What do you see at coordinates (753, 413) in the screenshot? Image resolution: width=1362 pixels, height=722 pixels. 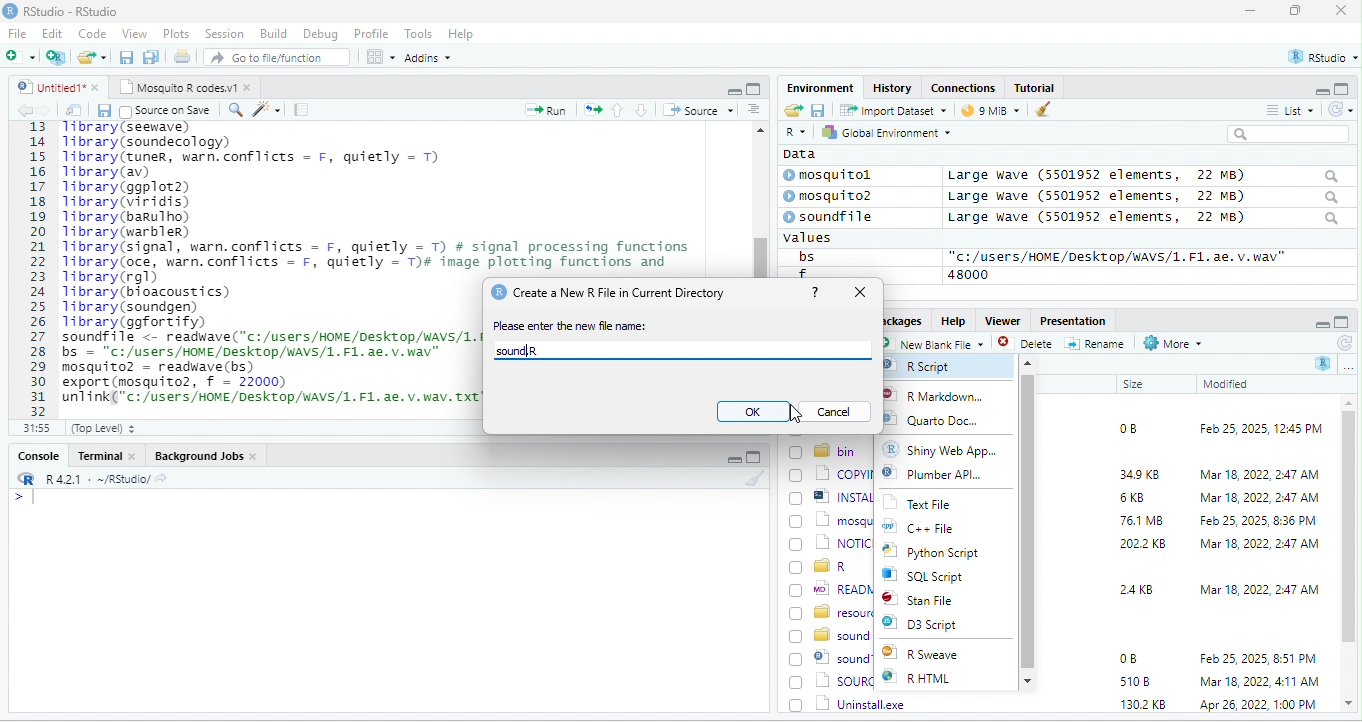 I see `0K` at bounding box center [753, 413].